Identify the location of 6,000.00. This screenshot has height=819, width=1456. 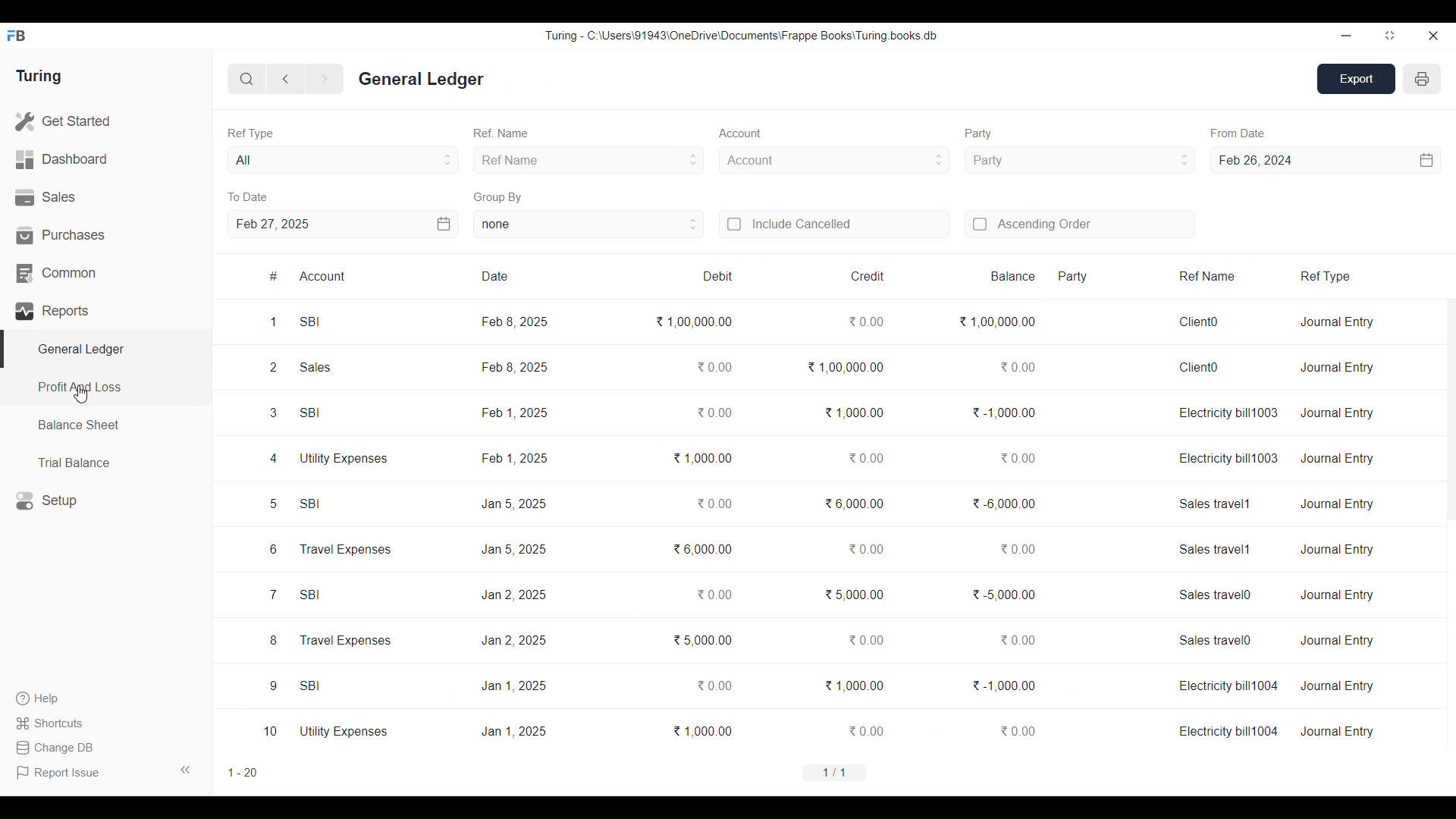
(702, 548).